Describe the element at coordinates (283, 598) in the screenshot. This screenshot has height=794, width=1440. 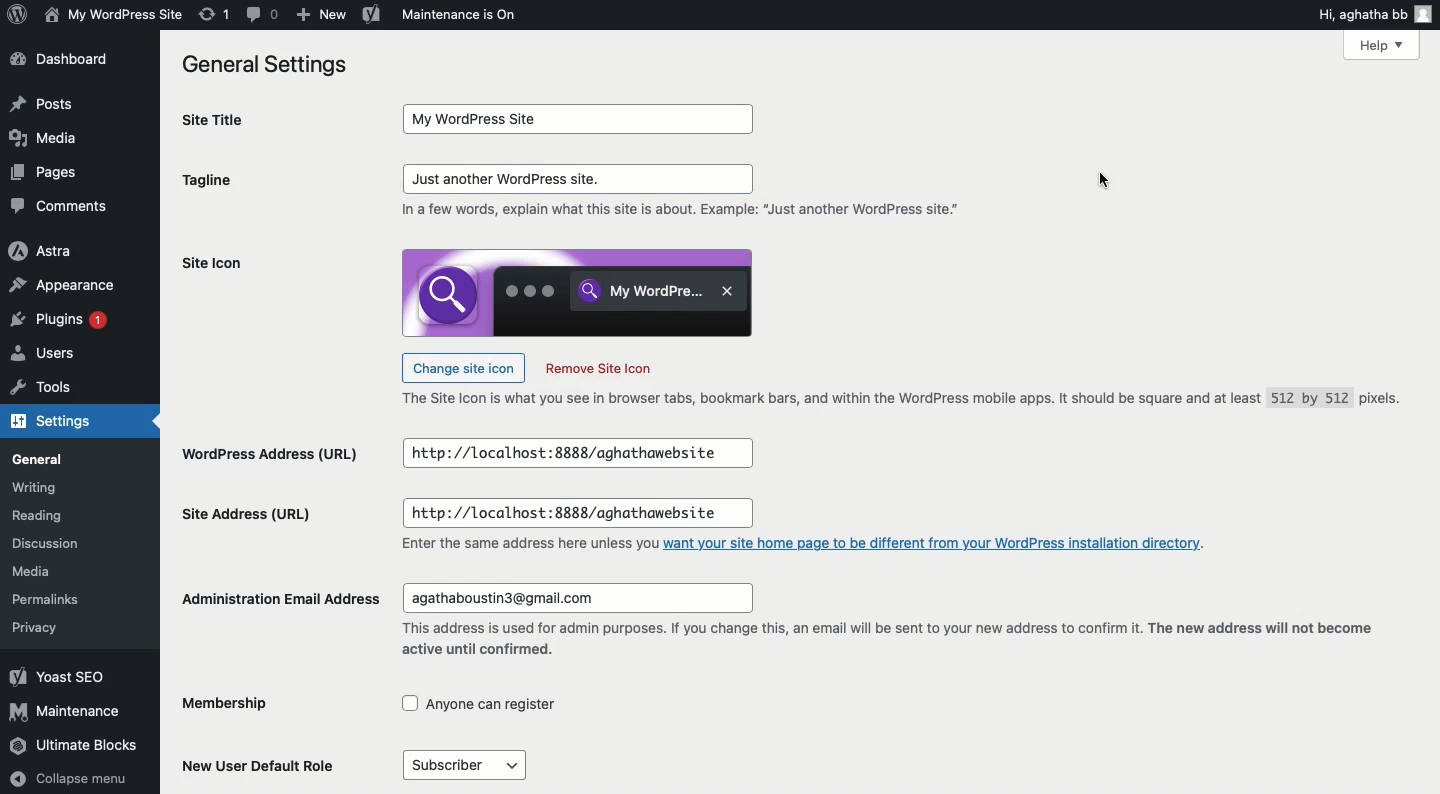
I see `Administration email address` at that location.